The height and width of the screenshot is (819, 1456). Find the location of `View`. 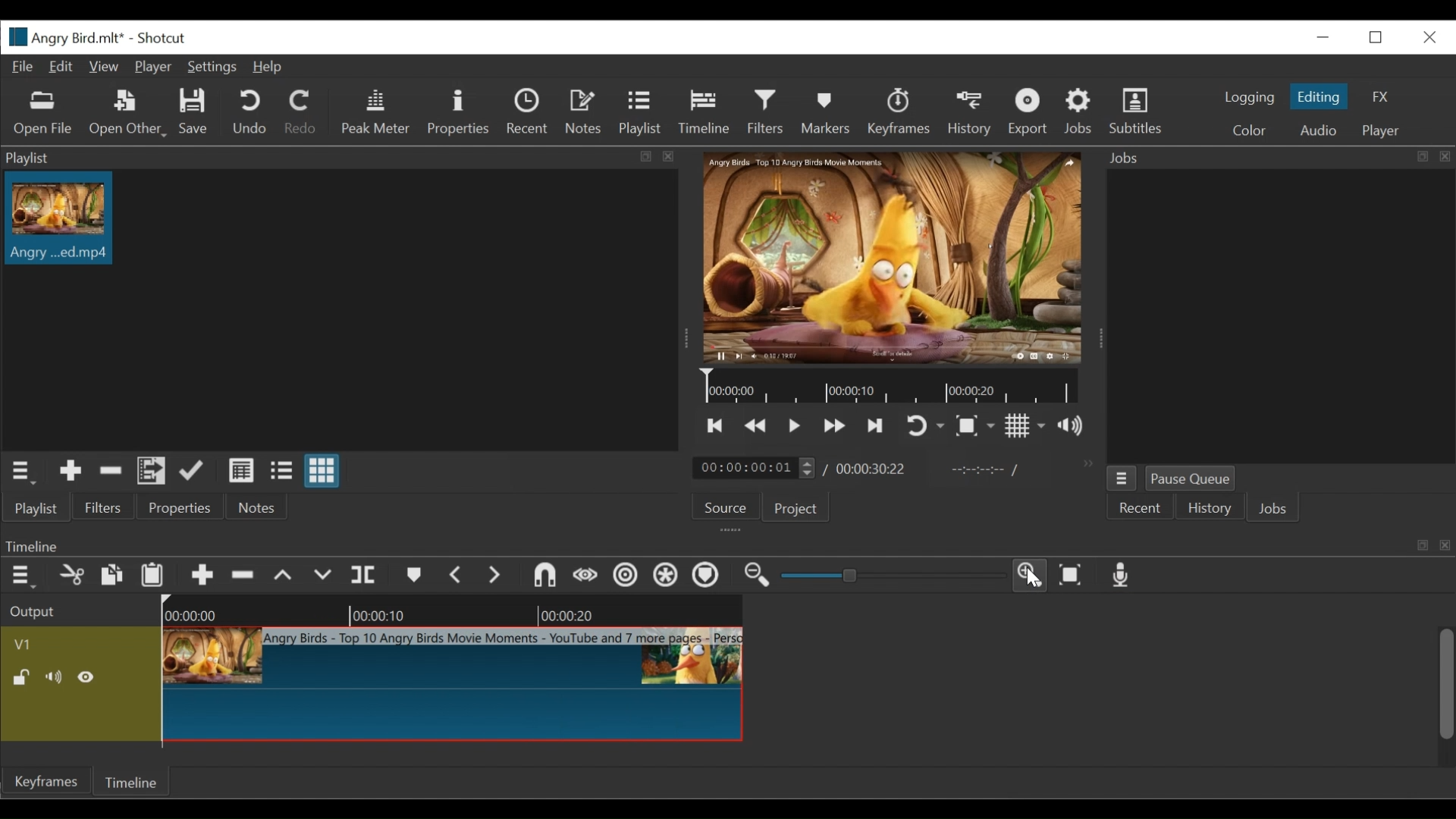

View is located at coordinates (102, 65).